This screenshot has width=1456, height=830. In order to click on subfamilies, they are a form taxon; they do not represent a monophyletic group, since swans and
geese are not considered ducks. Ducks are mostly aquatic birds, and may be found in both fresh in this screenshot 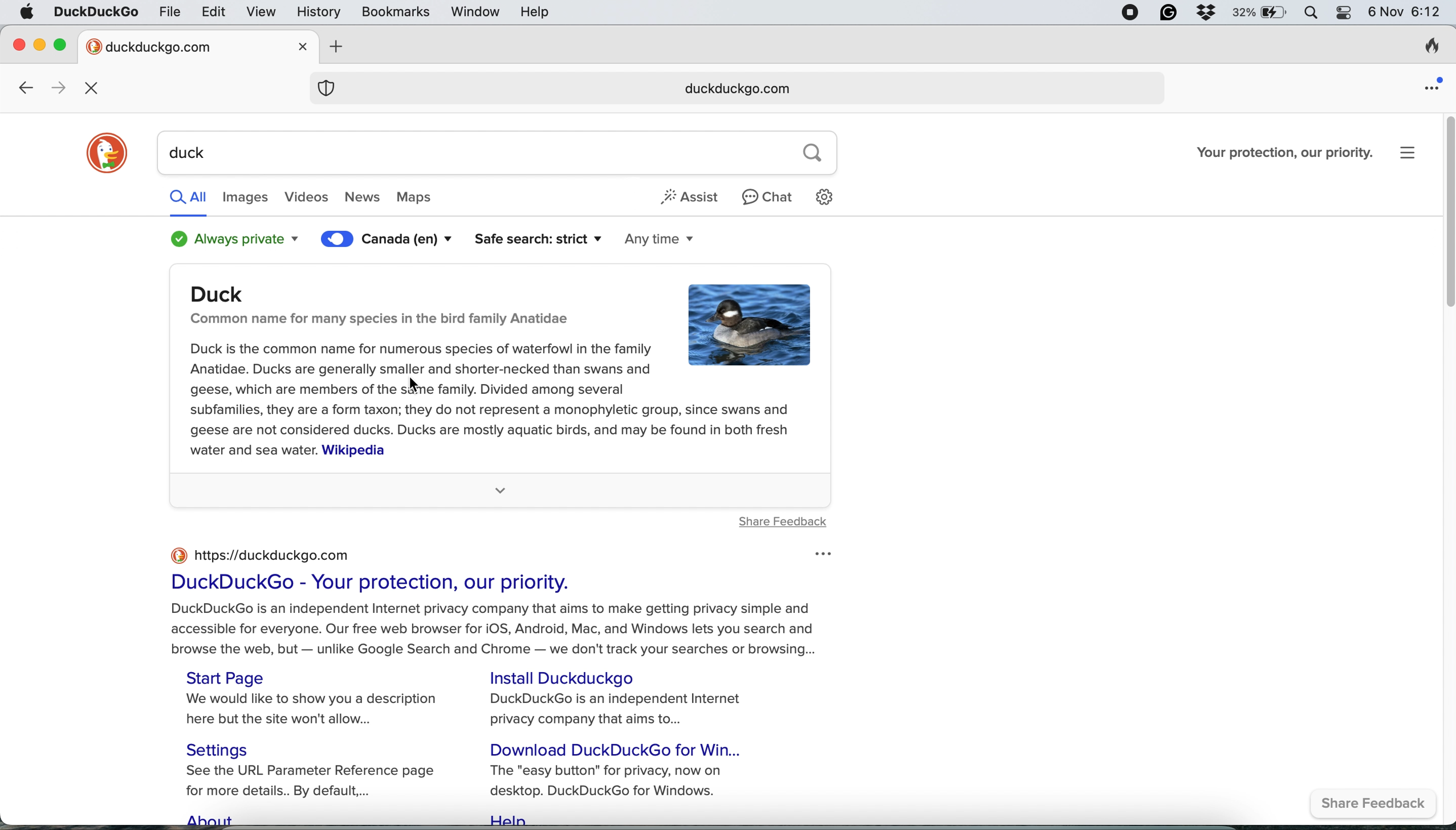, I will do `click(495, 419)`.